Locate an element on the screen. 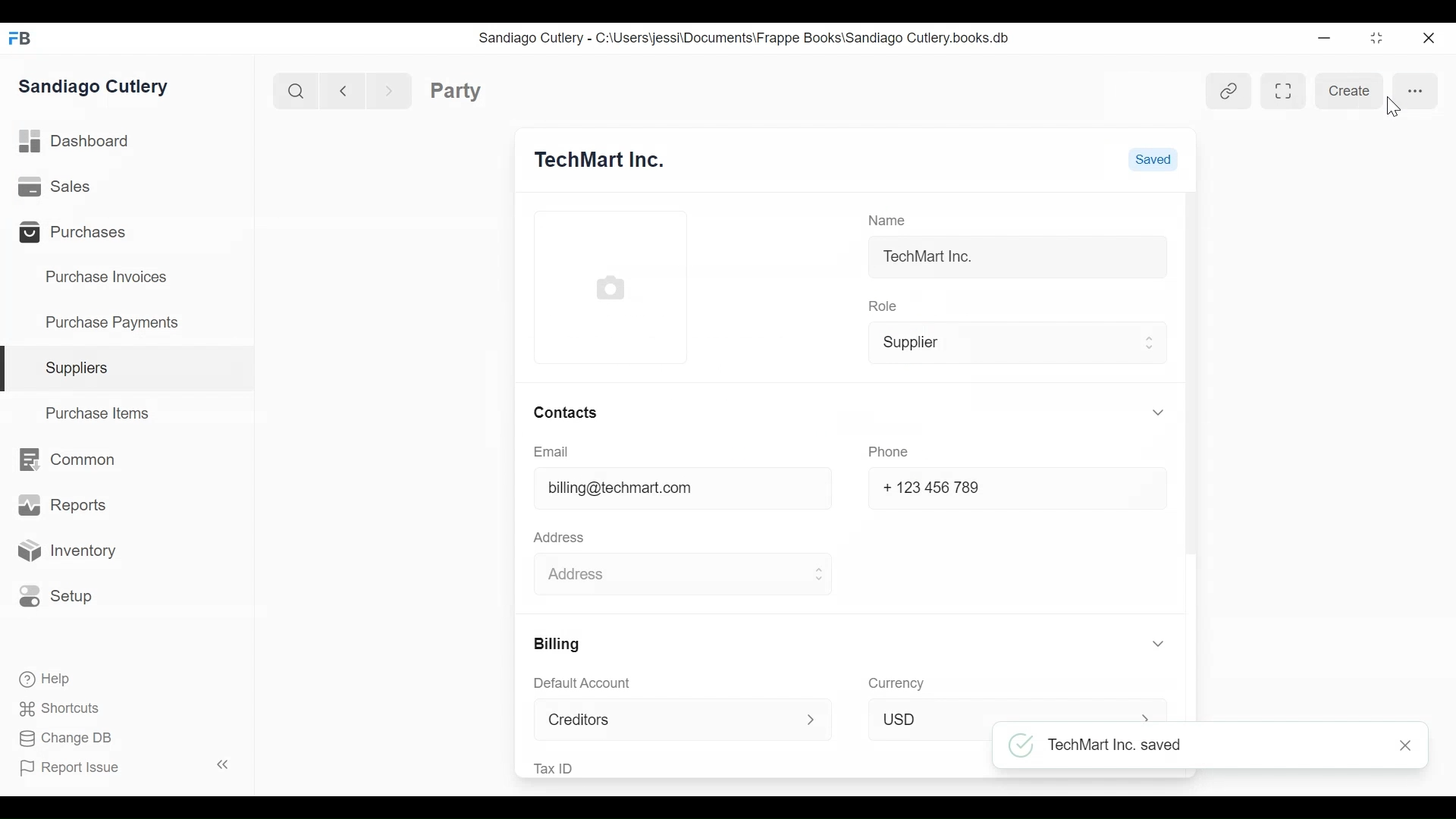  Address is located at coordinates (681, 573).